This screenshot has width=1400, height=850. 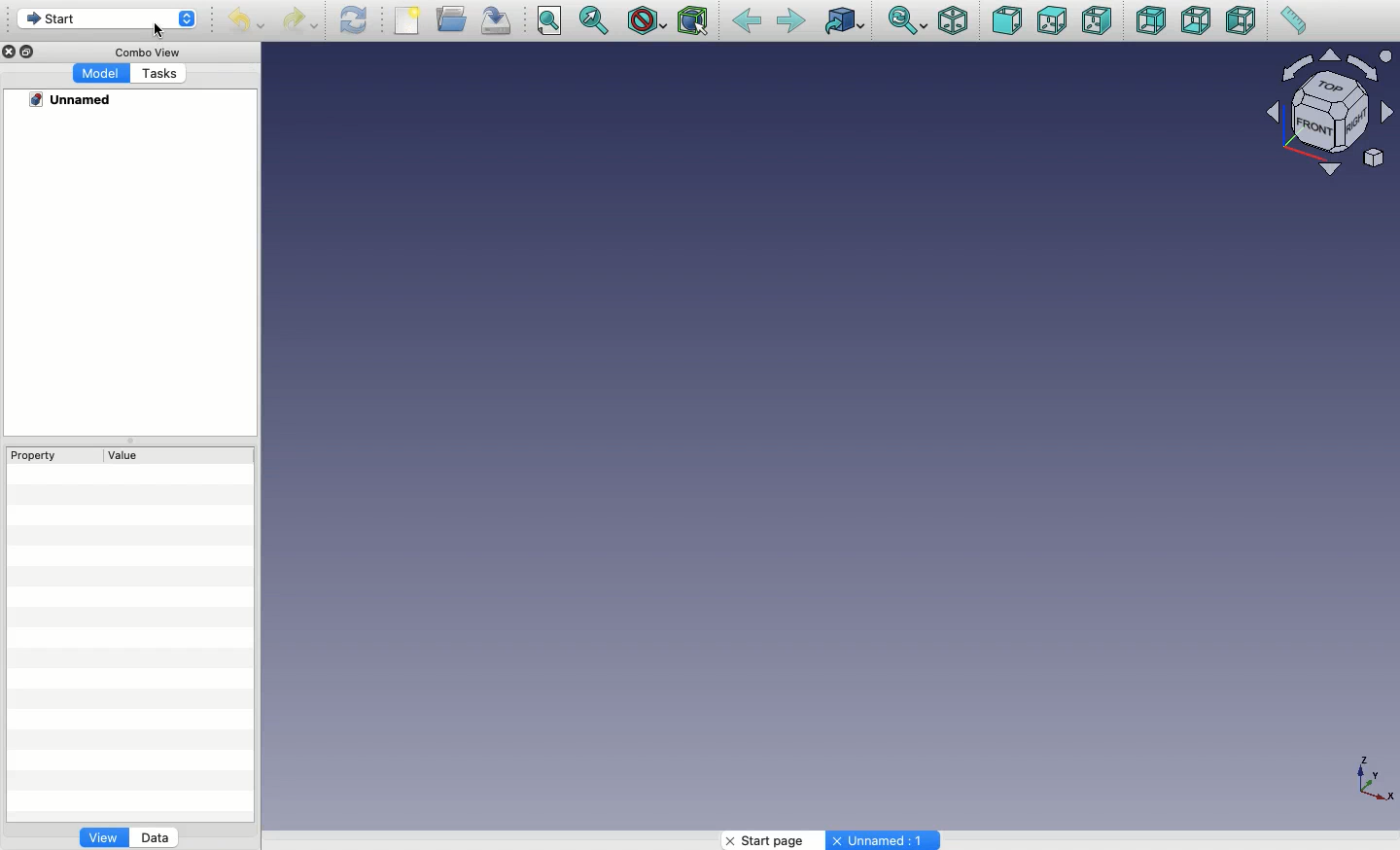 What do you see at coordinates (647, 20) in the screenshot?
I see `Draw style` at bounding box center [647, 20].